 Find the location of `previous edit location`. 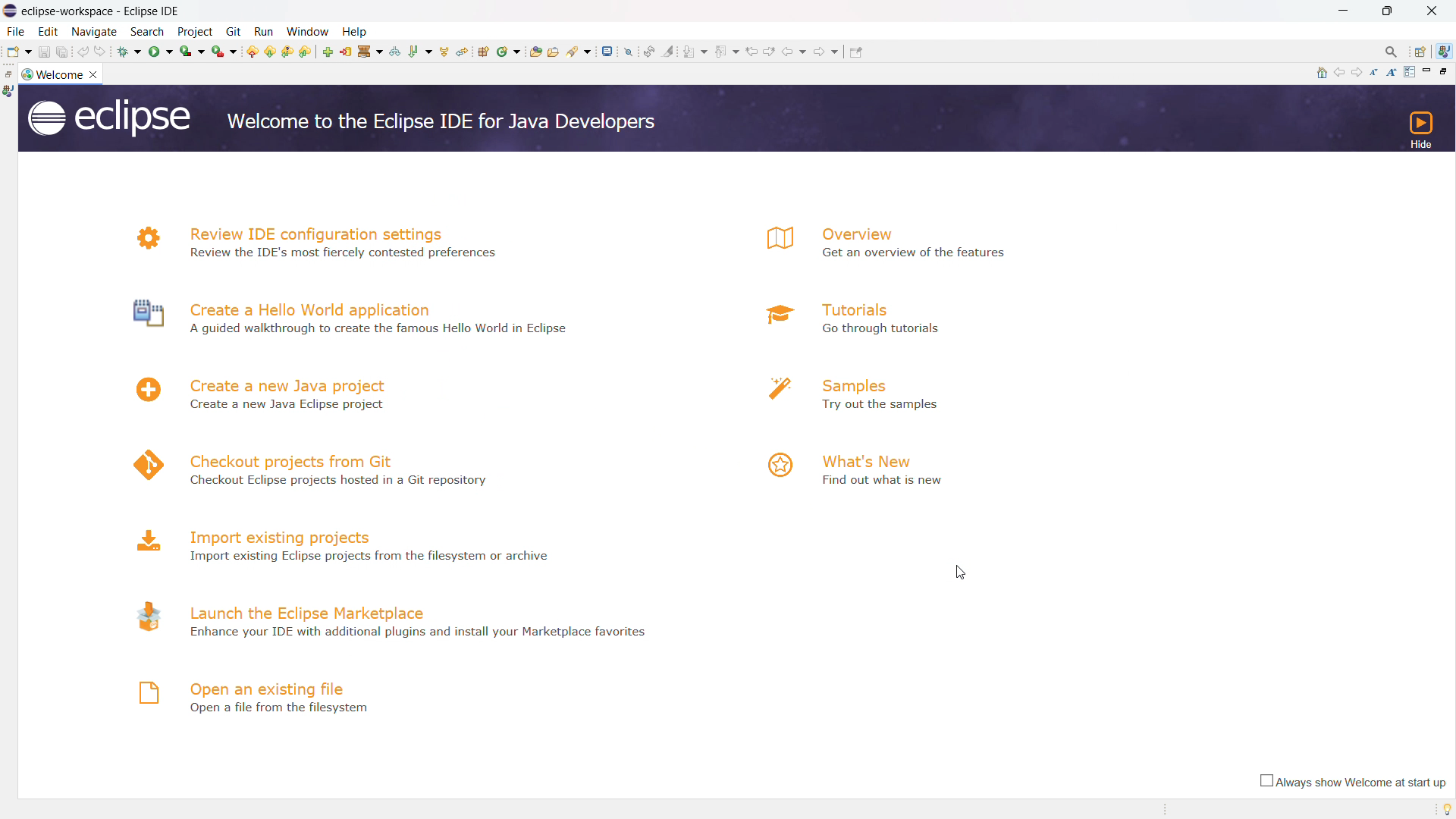

previous edit location is located at coordinates (521, 52).